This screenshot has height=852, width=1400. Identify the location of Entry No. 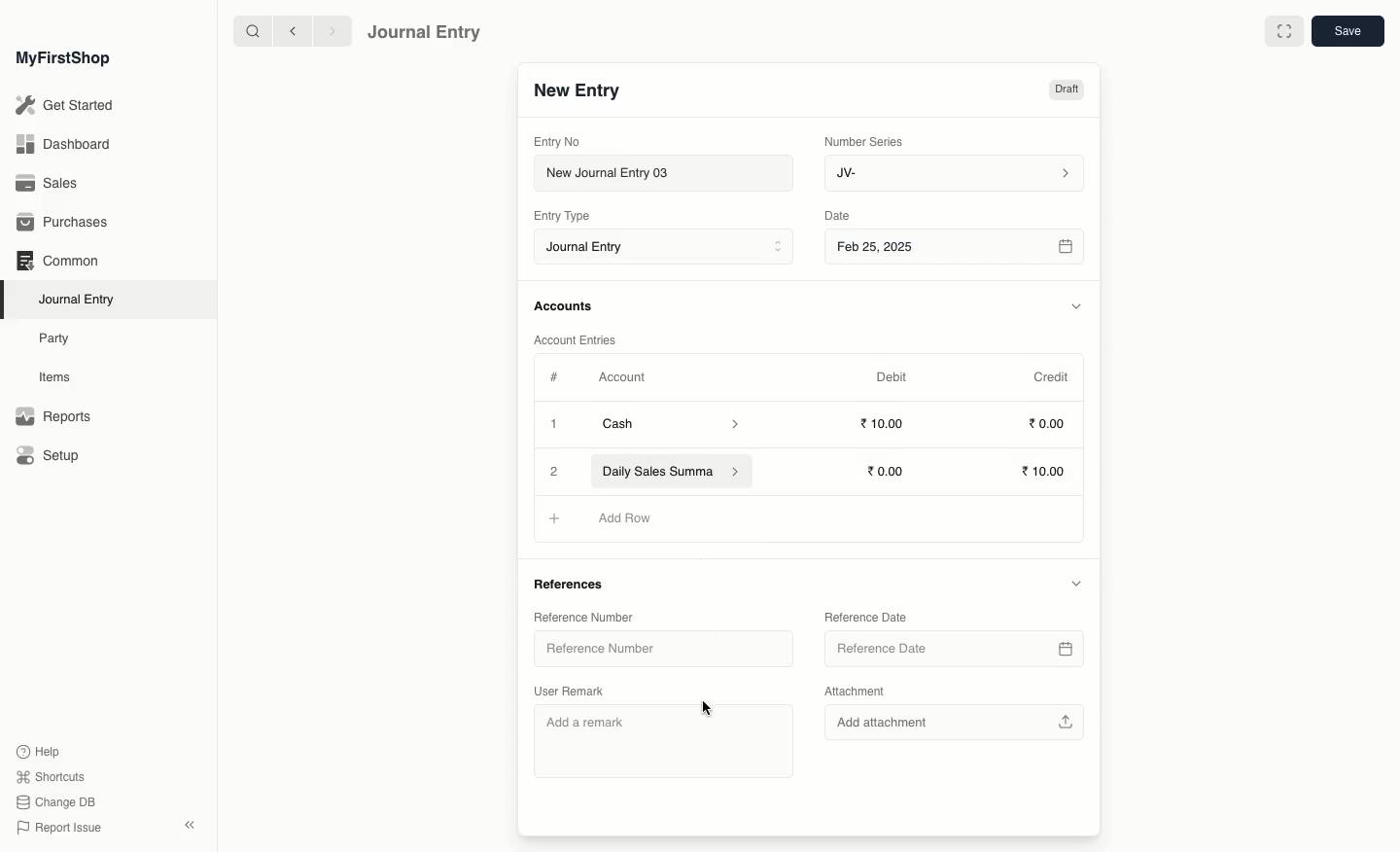
(558, 141).